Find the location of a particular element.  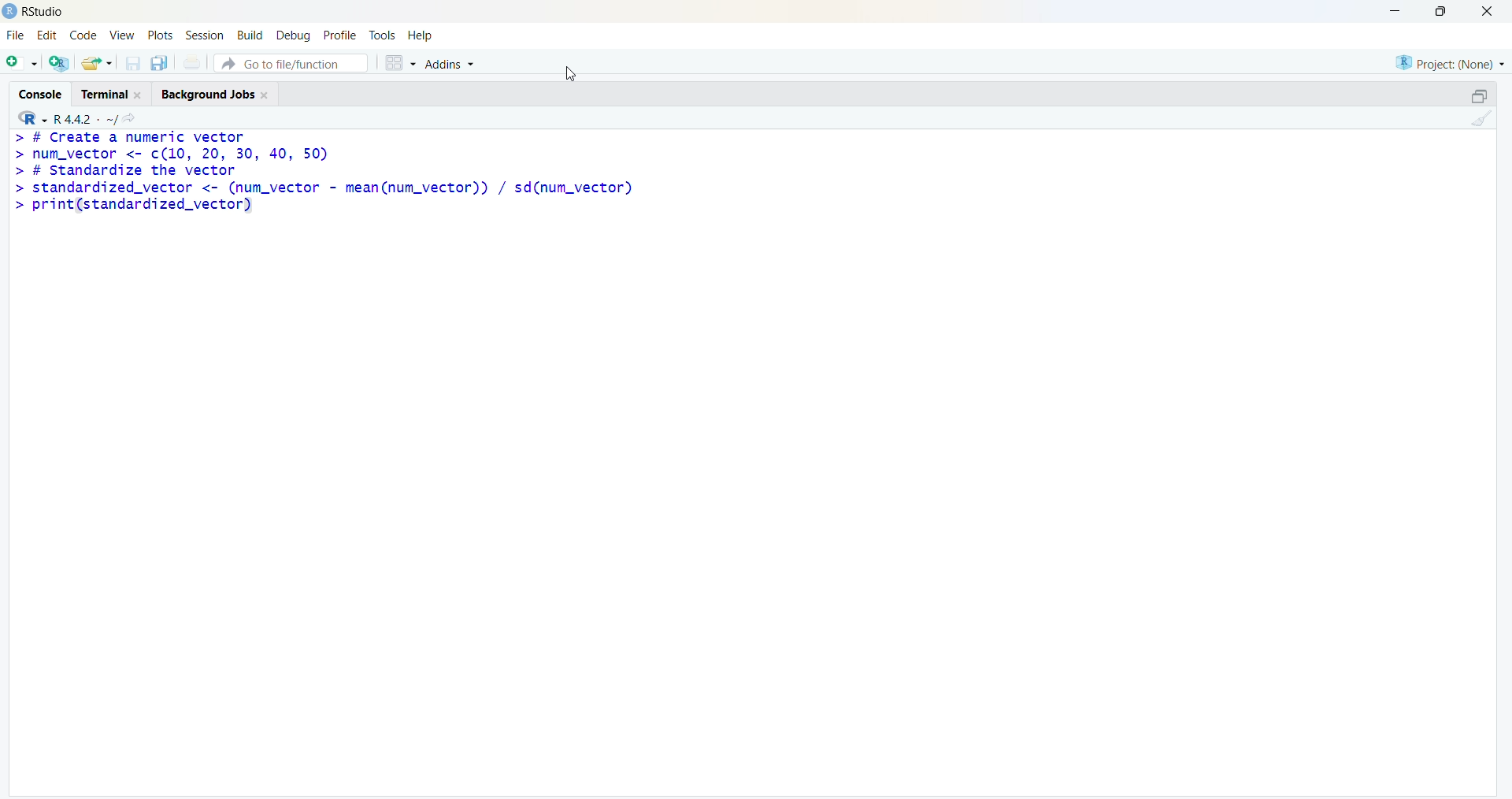

edit is located at coordinates (47, 35).